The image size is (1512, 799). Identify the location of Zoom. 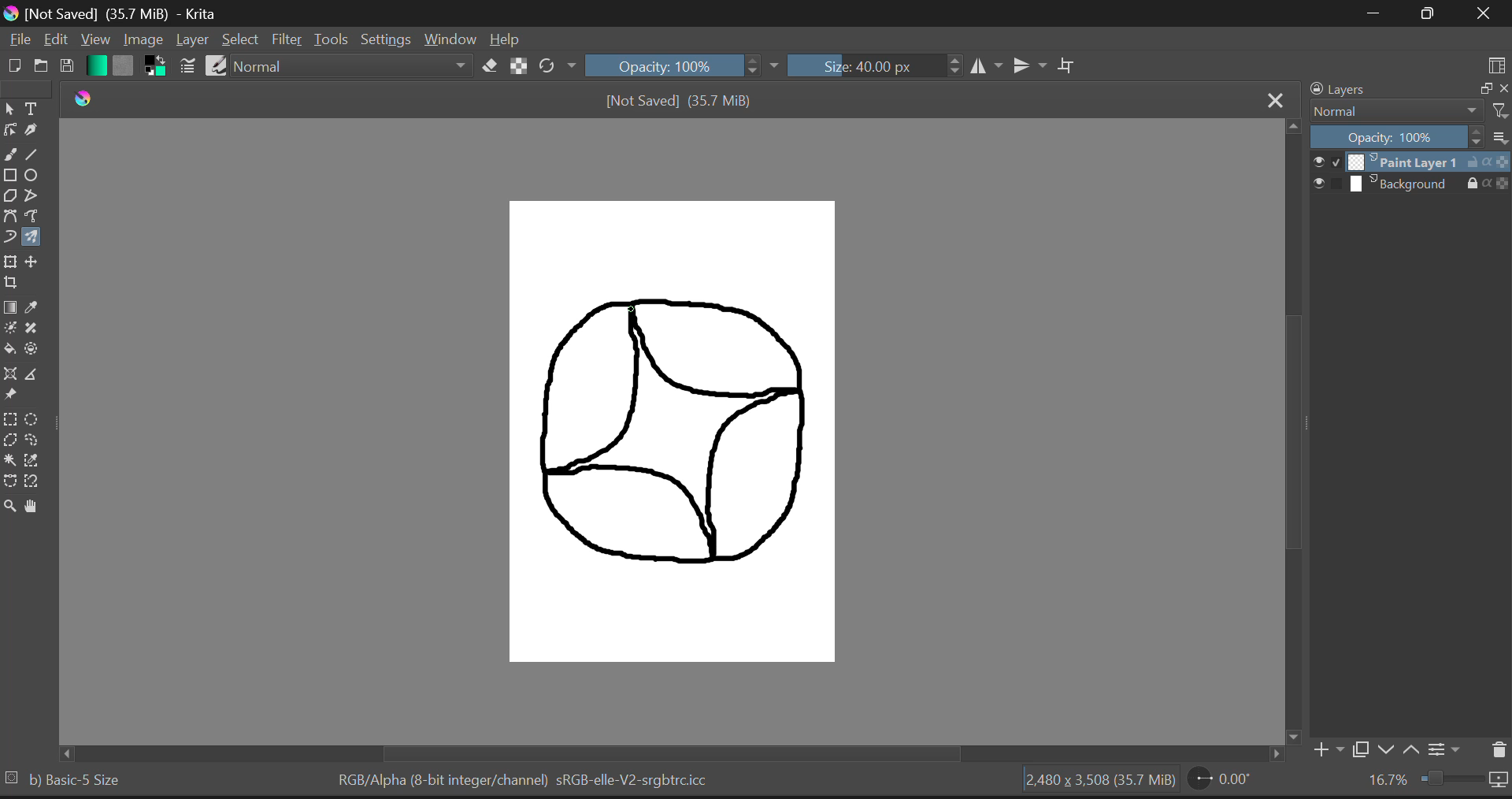
(10, 508).